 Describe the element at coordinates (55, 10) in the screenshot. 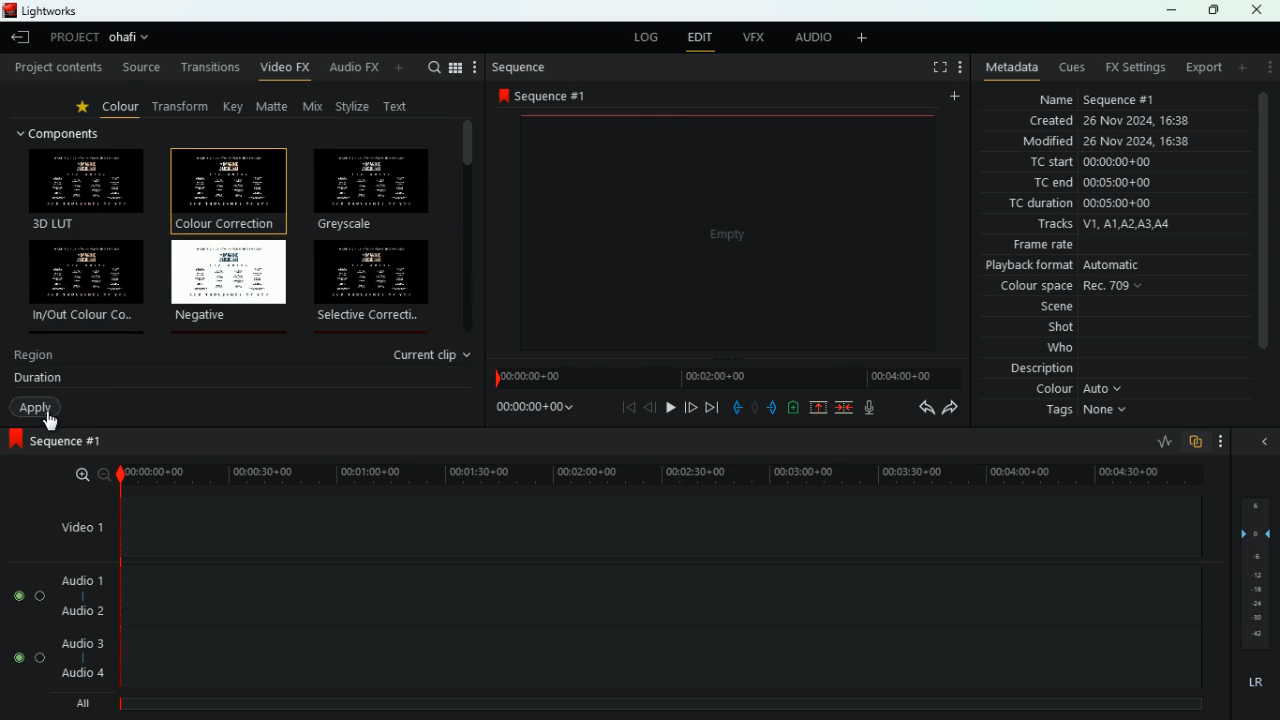

I see `loghtworks` at that location.